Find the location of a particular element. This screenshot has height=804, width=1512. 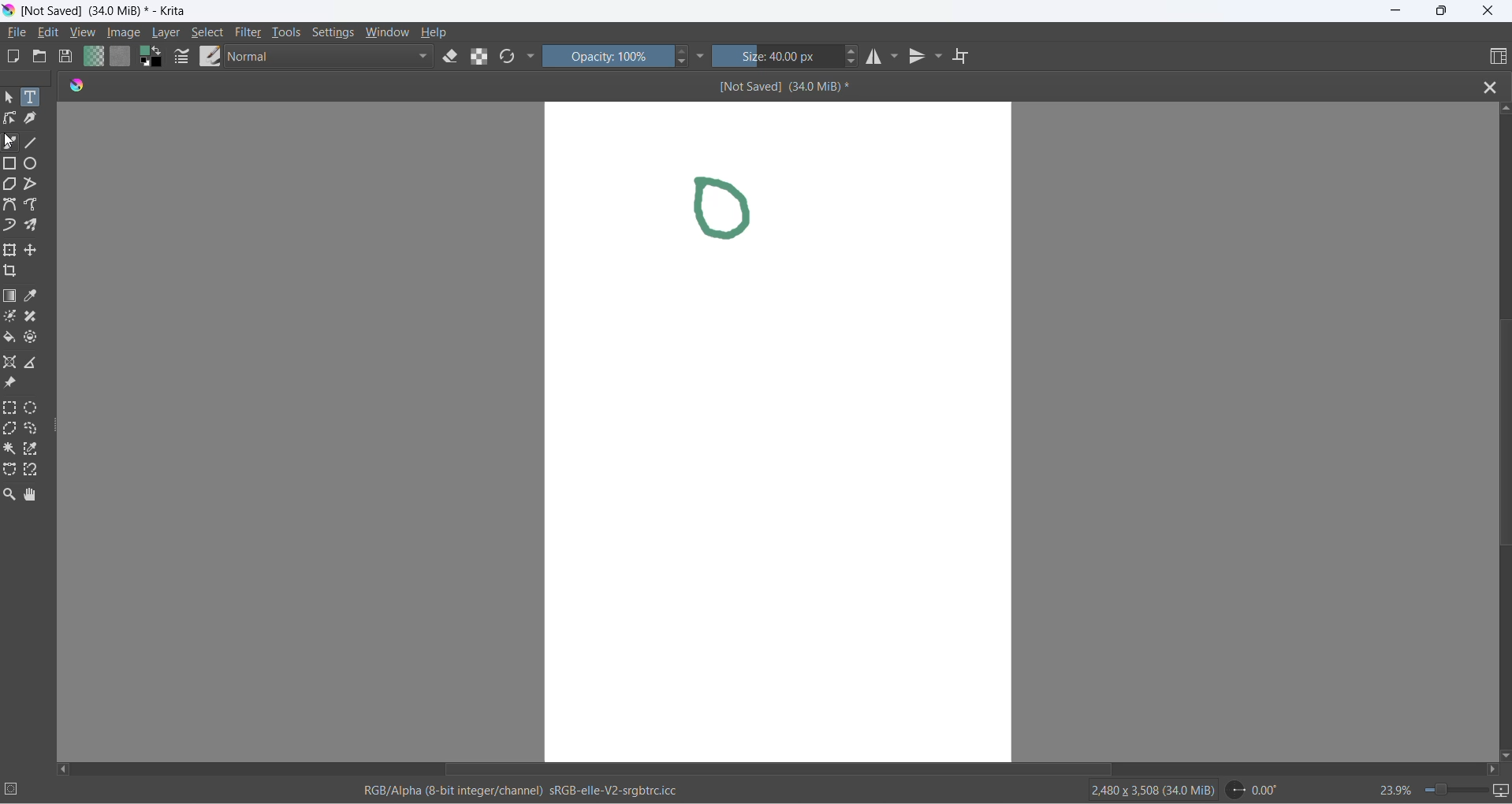

close file is located at coordinates (1487, 86).